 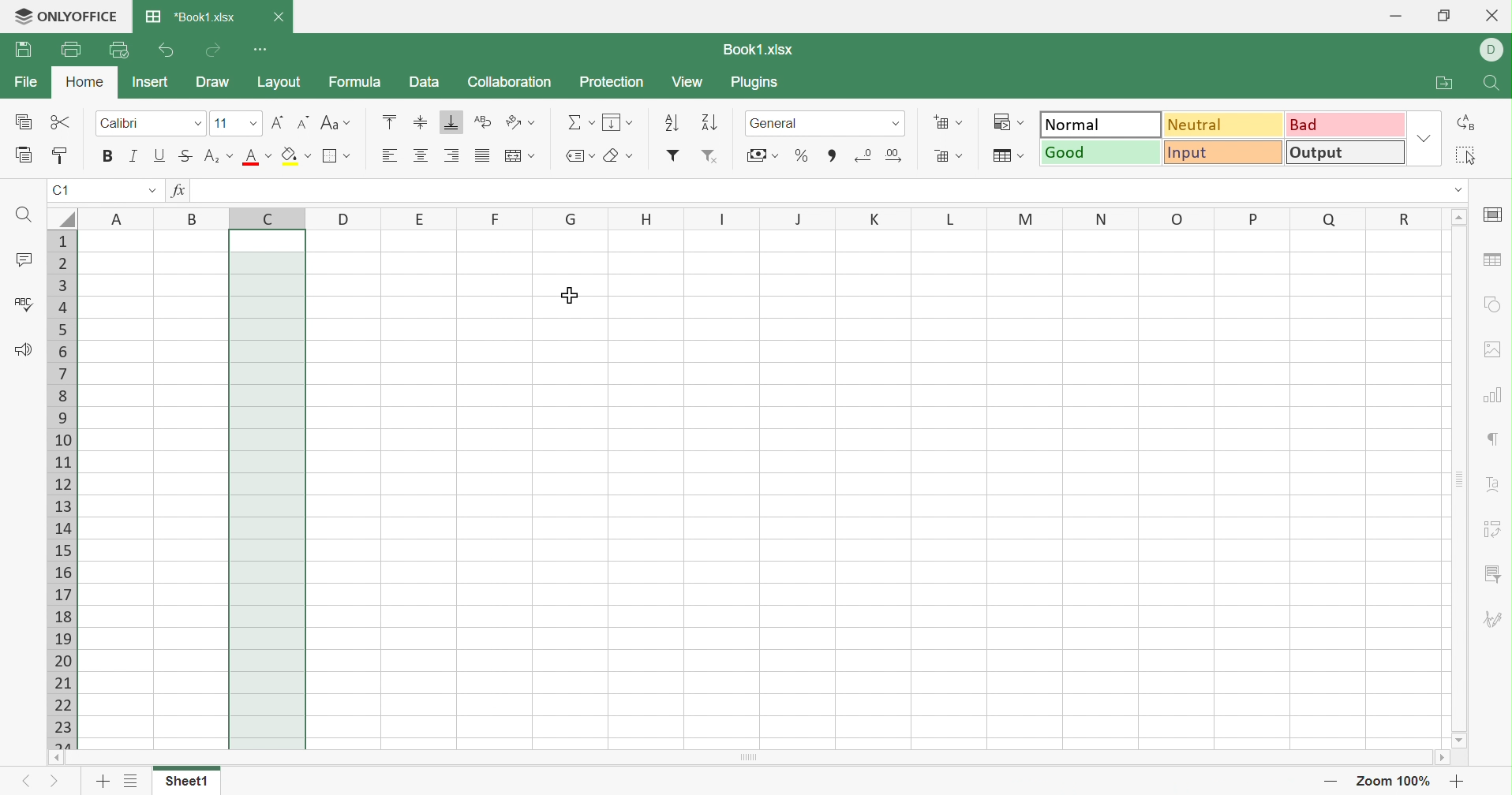 I want to click on Superscript/Subscript, so click(x=211, y=156).